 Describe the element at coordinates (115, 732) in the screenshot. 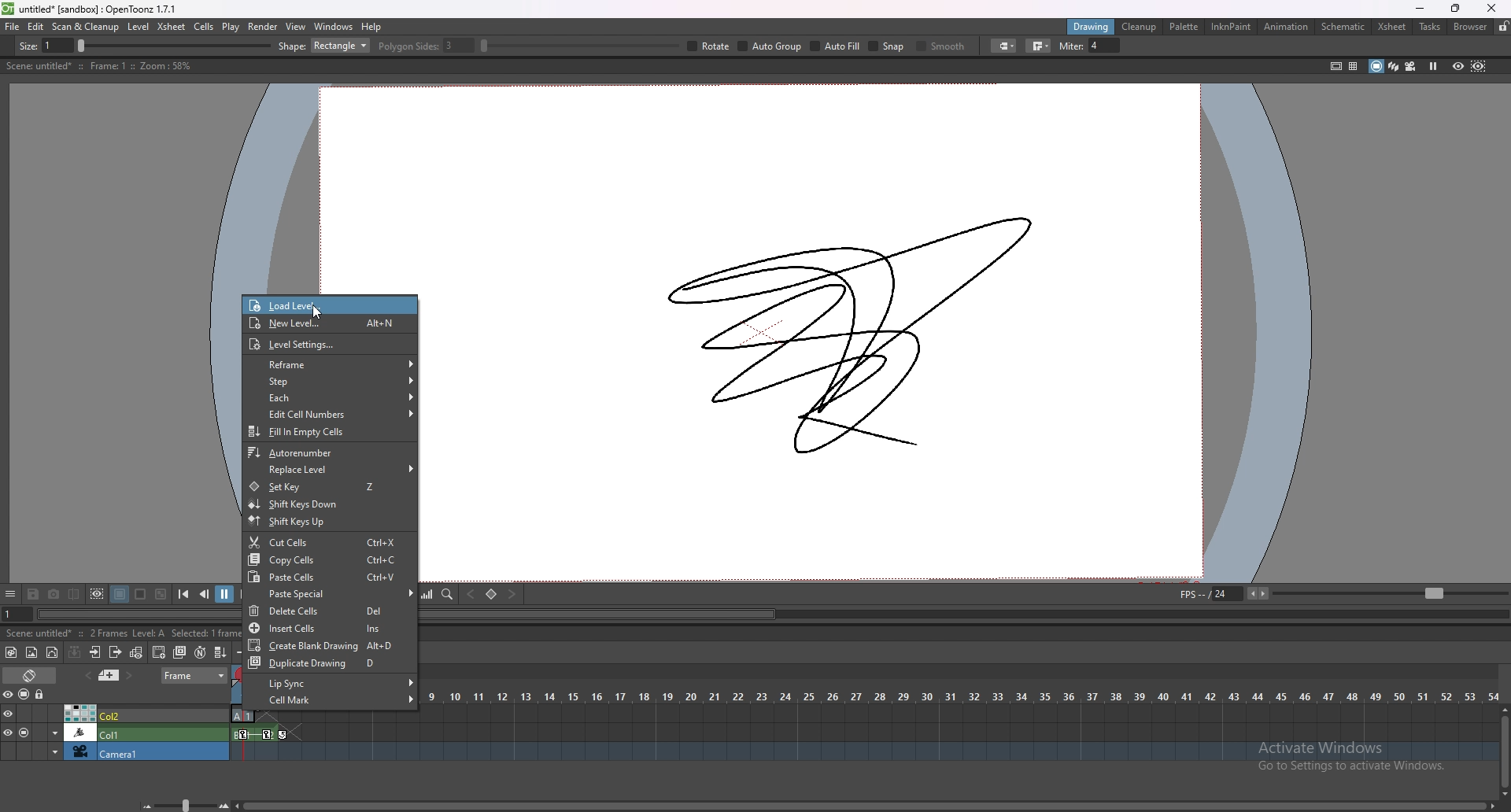

I see `column 1` at that location.